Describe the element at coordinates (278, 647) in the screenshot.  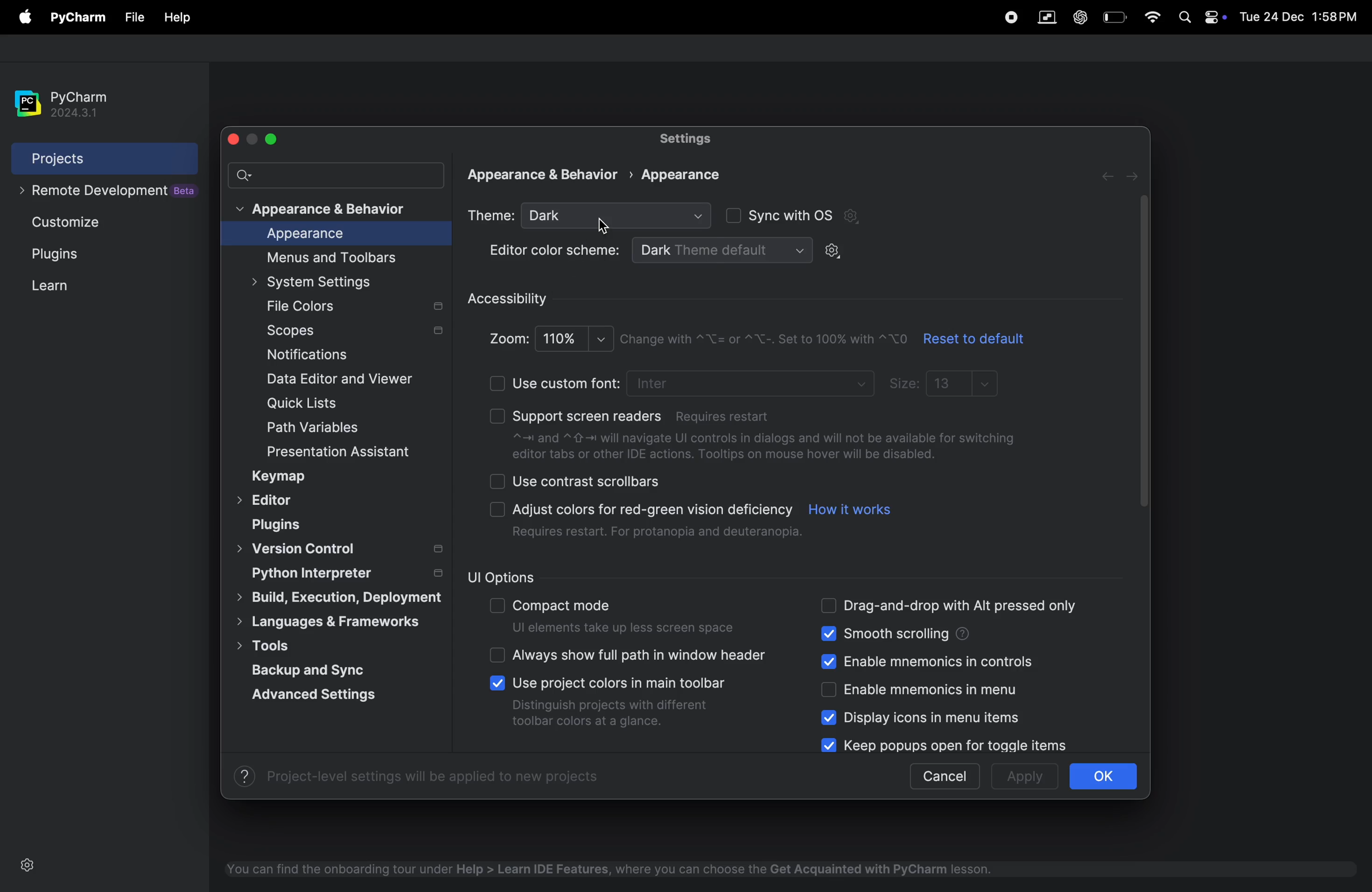
I see `tools` at that location.